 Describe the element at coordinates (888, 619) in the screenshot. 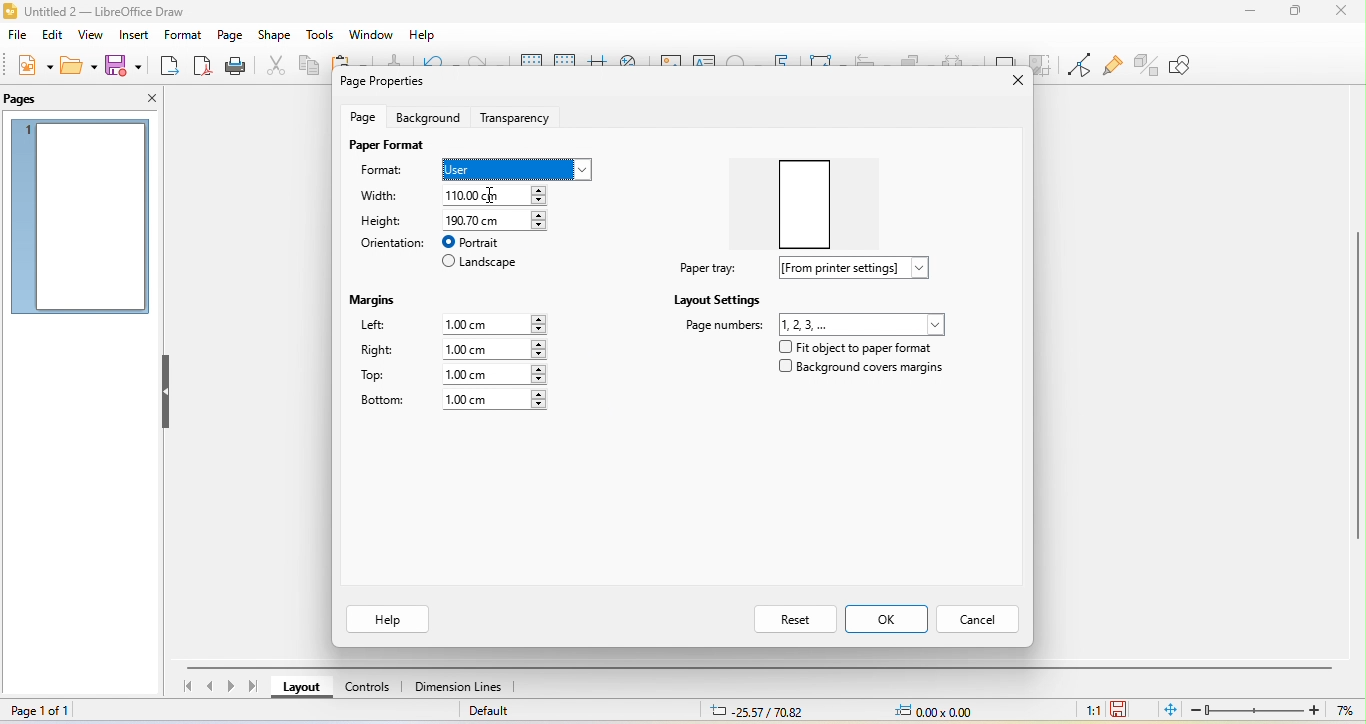

I see `ok` at that location.